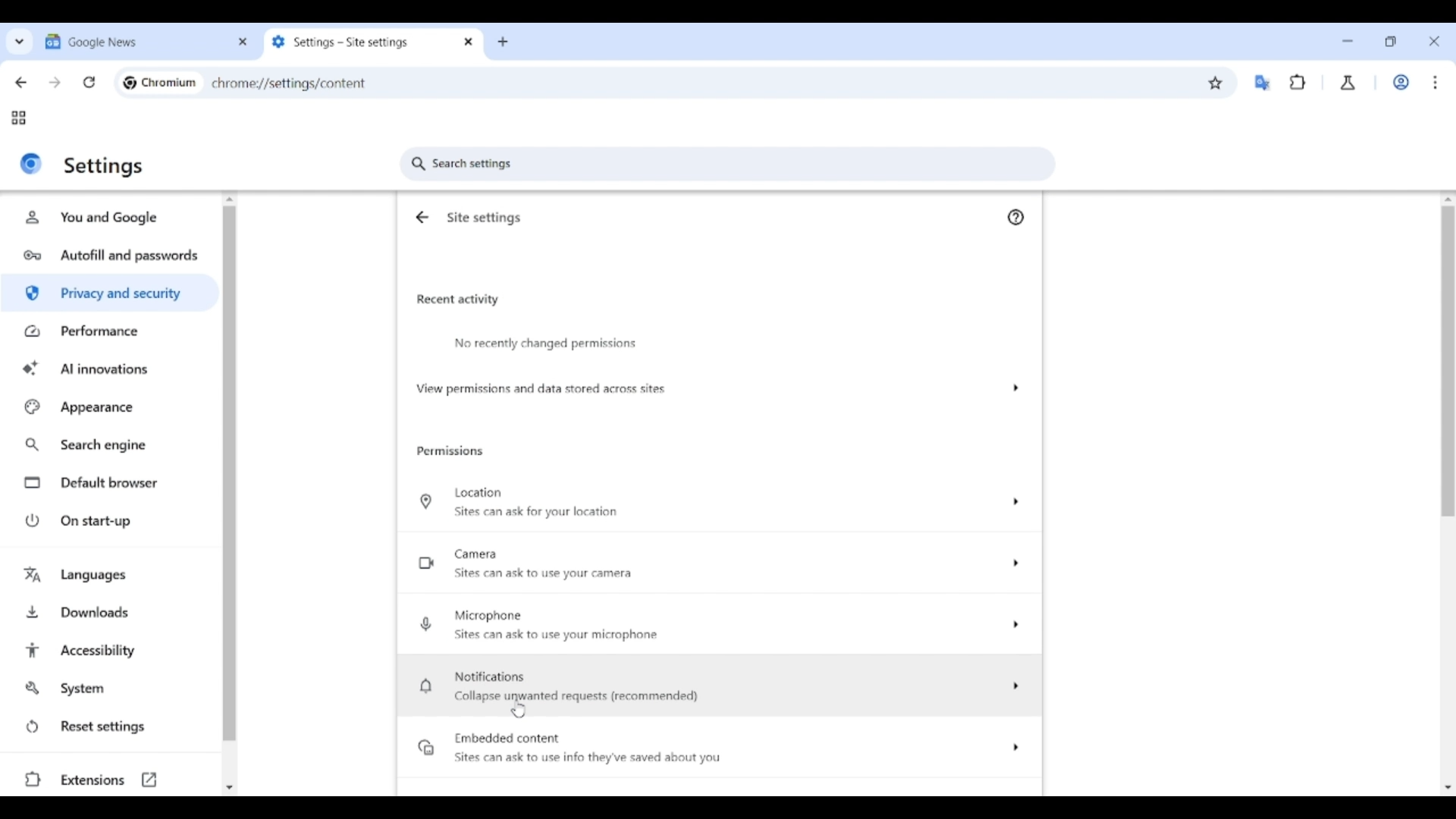  Describe the element at coordinates (1435, 82) in the screenshot. I see `Customize and control Chromium` at that location.